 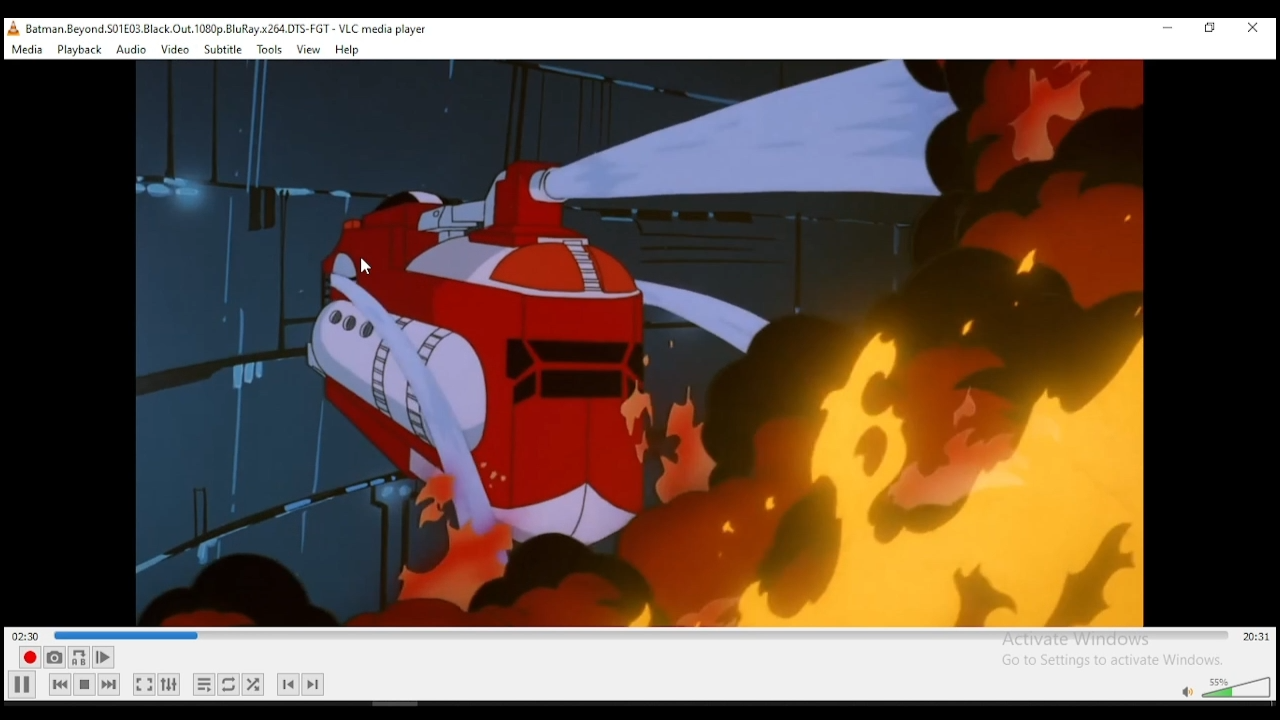 I want to click on toggle playlist, so click(x=205, y=684).